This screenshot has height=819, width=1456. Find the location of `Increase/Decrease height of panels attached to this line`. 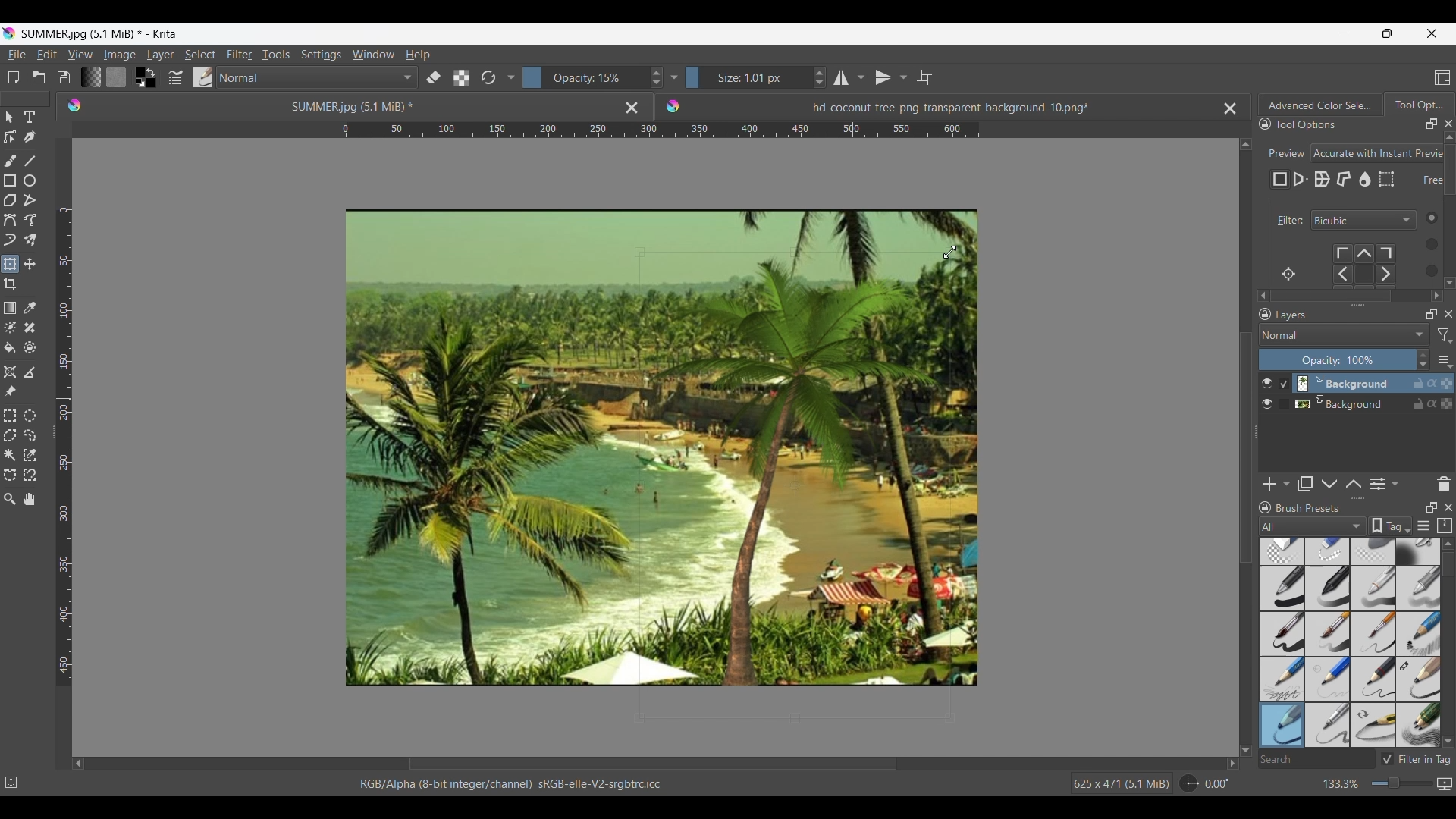

Increase/Decrease height of panels attached to this line is located at coordinates (1360, 498).